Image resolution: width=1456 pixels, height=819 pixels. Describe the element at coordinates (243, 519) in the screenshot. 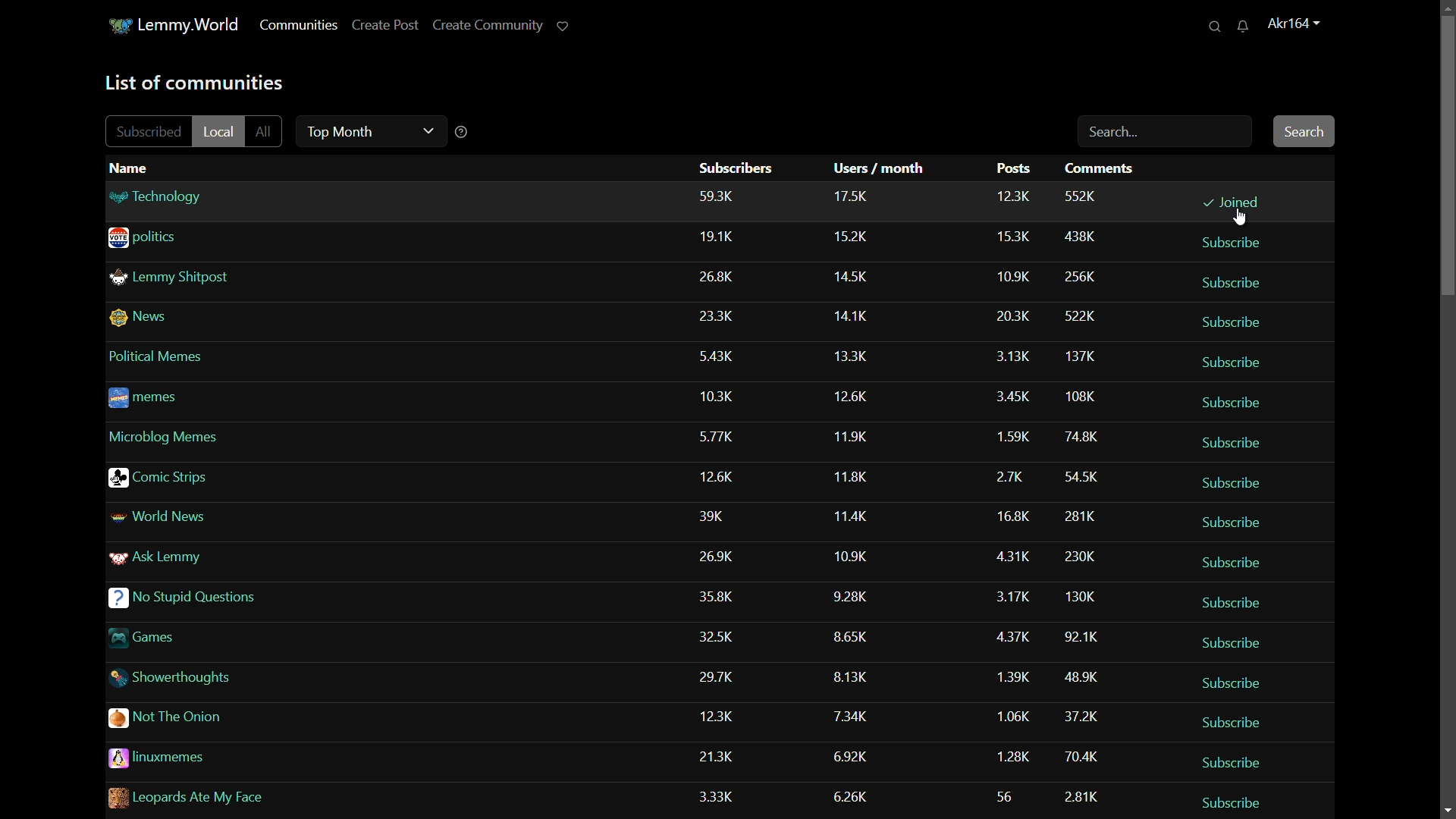

I see `communities name` at that location.